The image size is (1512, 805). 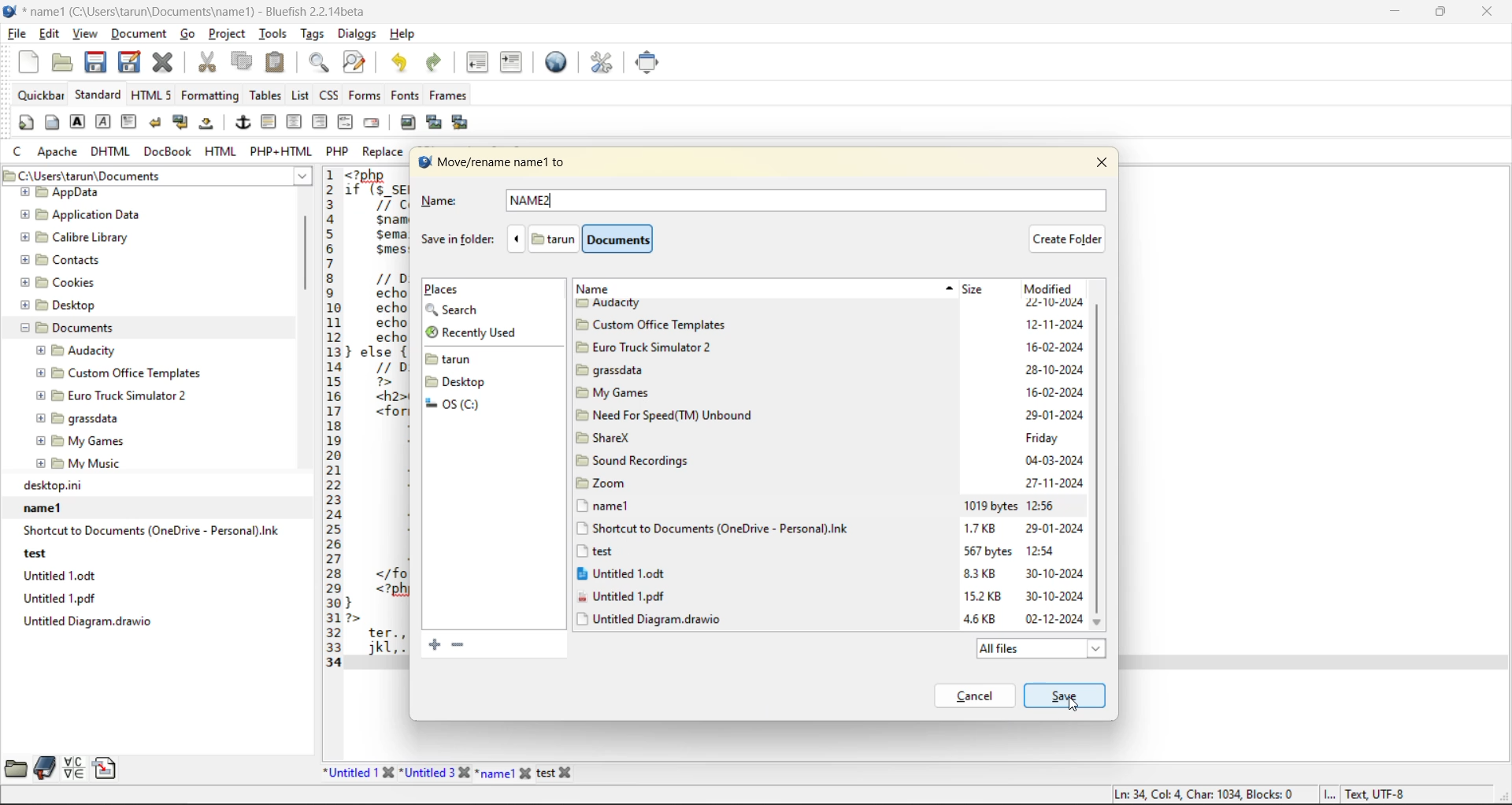 What do you see at coordinates (210, 99) in the screenshot?
I see `formatting` at bounding box center [210, 99].